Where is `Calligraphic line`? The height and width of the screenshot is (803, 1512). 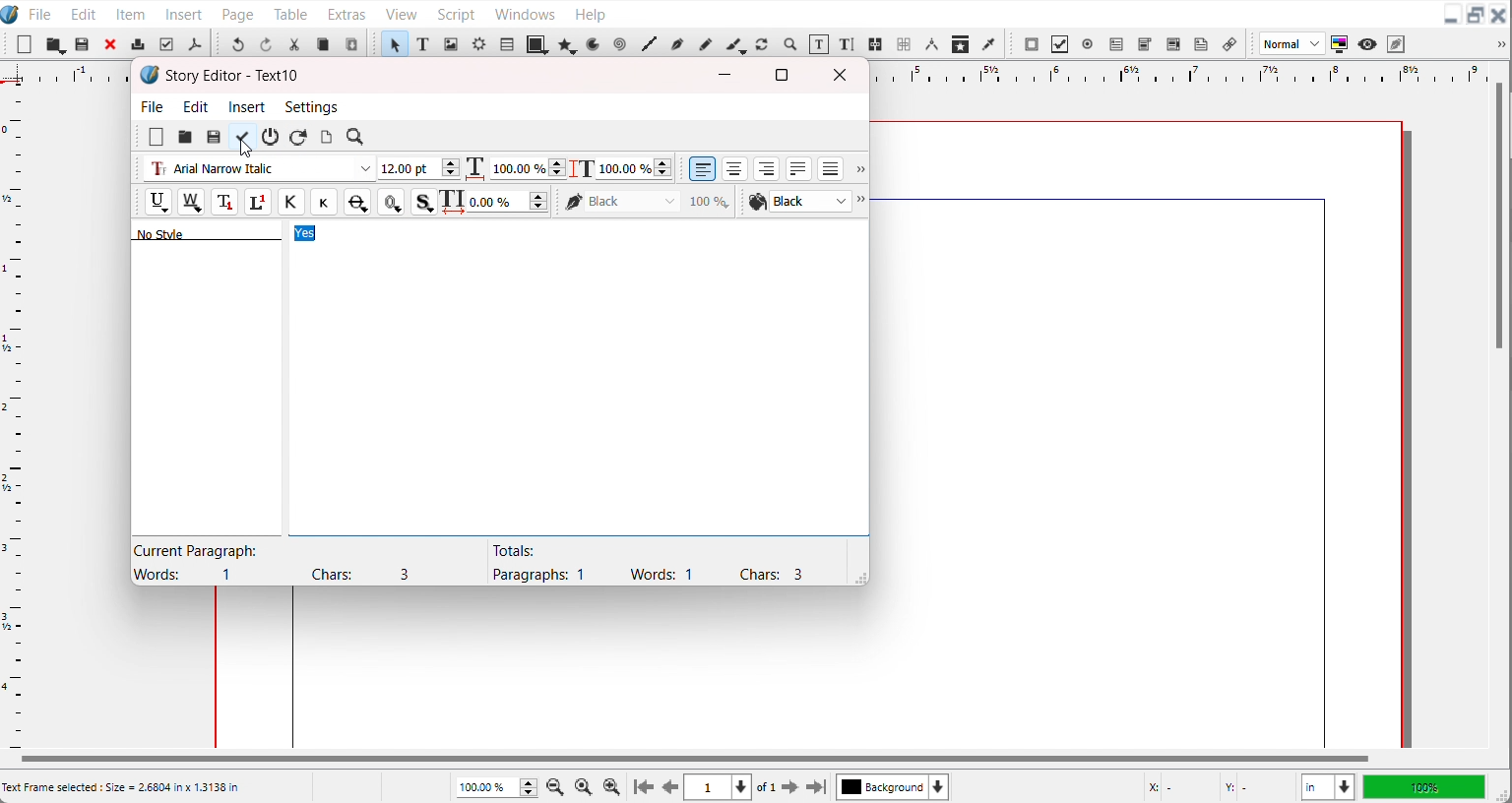
Calligraphic line is located at coordinates (735, 45).